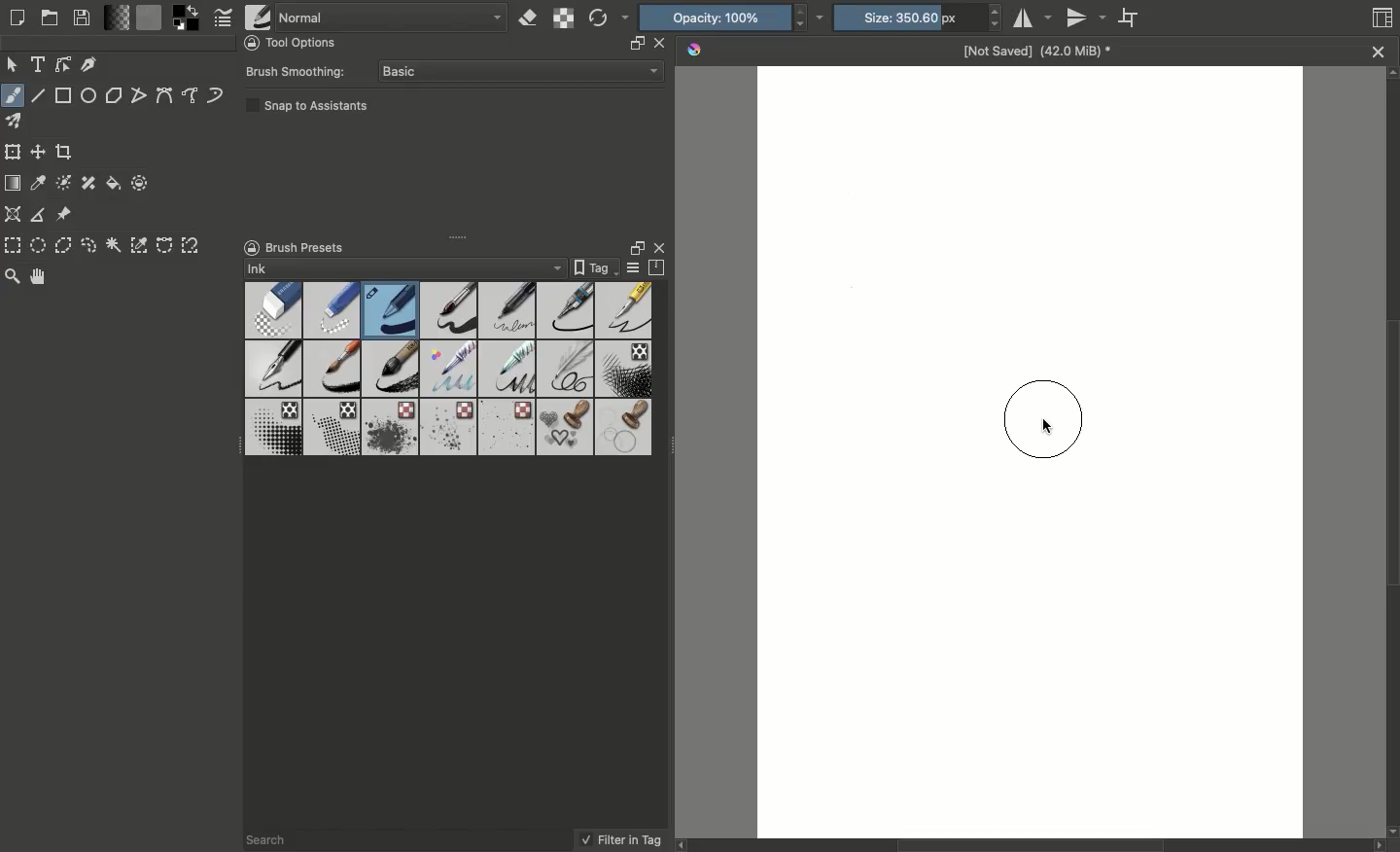 The width and height of the screenshot is (1400, 852). I want to click on Vertical mirror, so click(1089, 20).